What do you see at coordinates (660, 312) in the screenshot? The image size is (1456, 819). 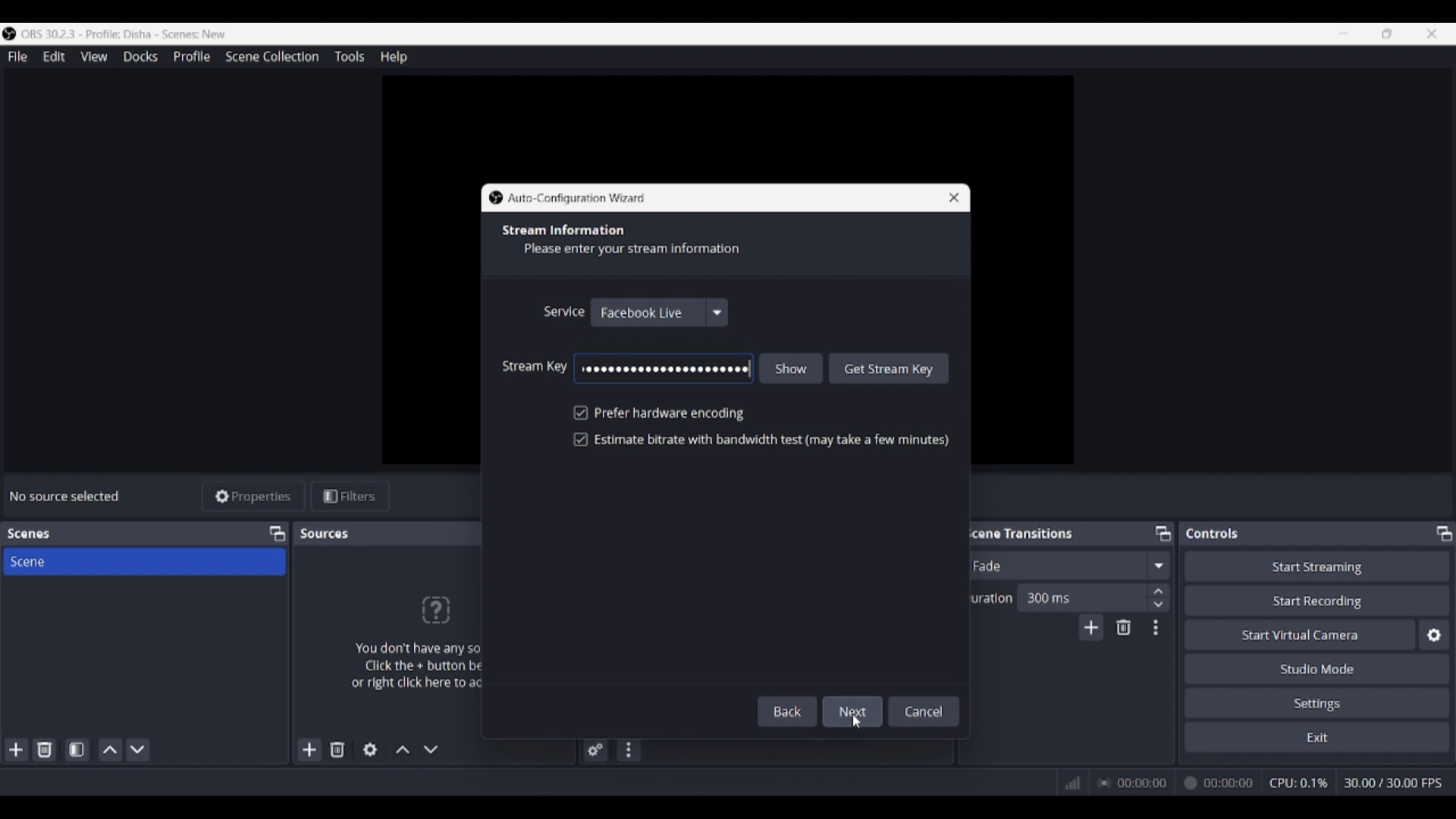 I see `Choosen service option` at bounding box center [660, 312].